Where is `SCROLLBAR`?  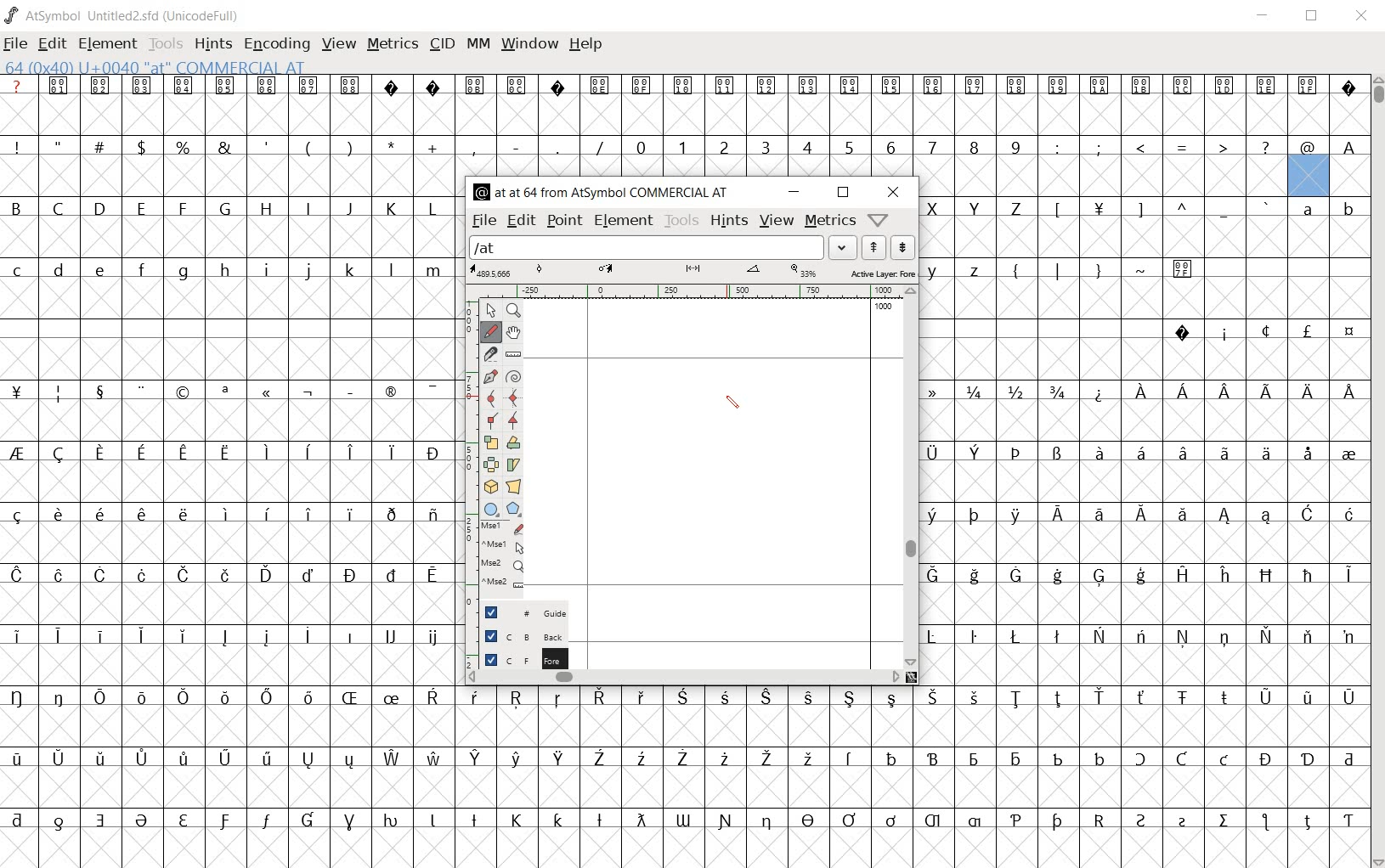 SCROLLBAR is located at coordinates (1377, 472).